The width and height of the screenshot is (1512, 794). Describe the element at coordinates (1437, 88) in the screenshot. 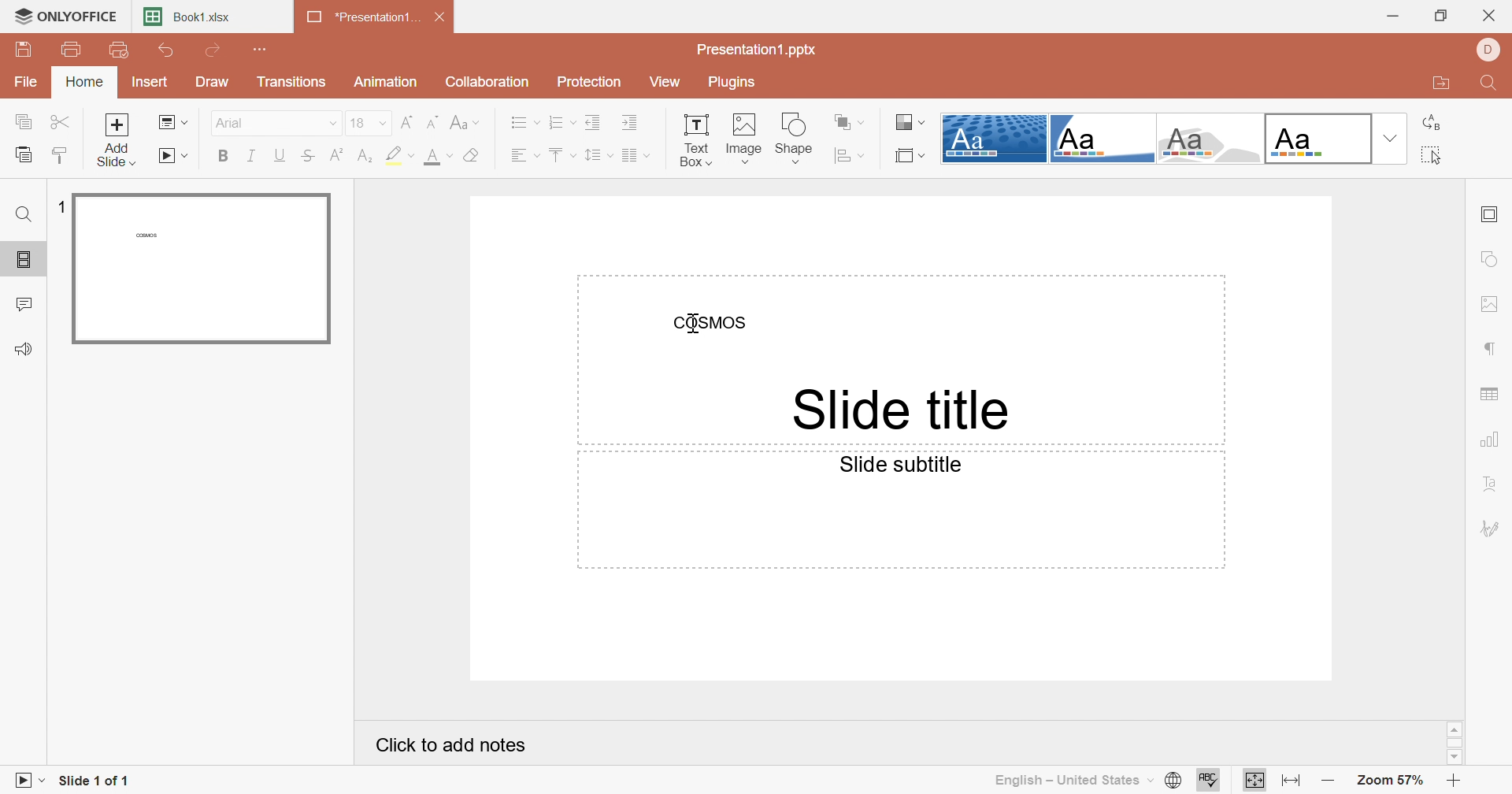

I see `Open file location` at that location.